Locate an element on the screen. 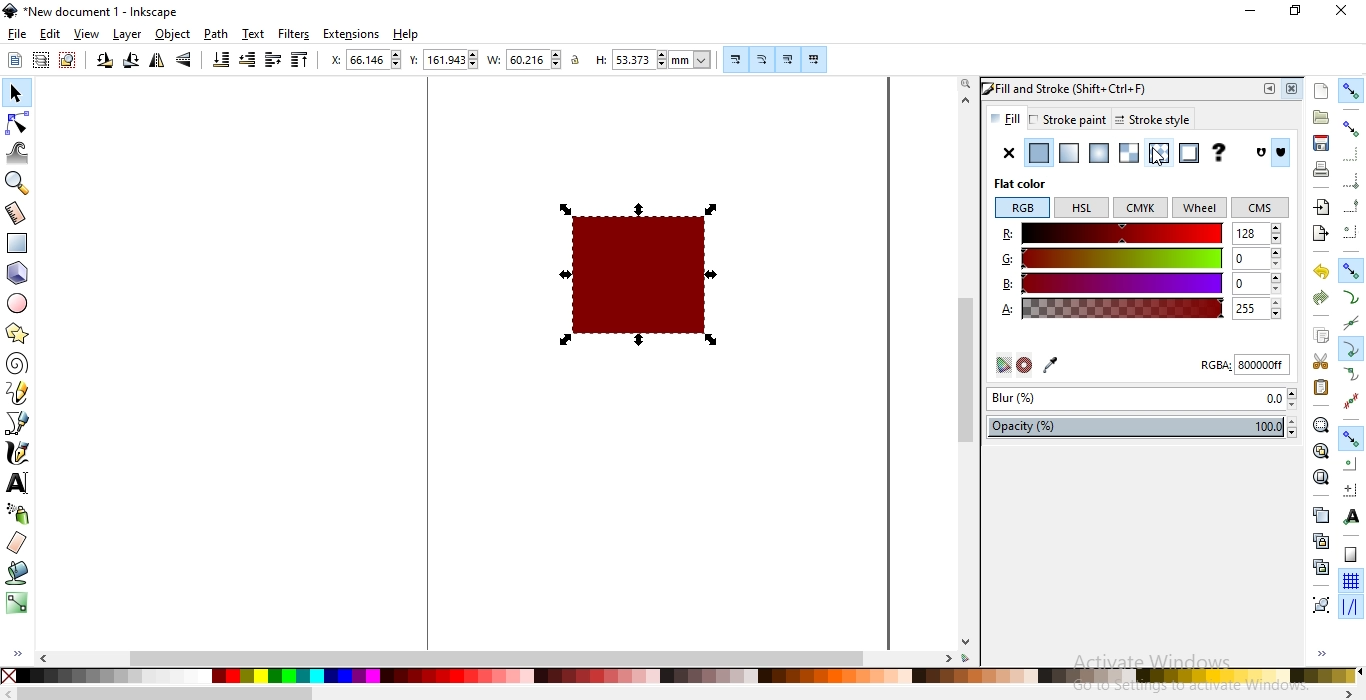 The height and width of the screenshot is (700, 1366). swatch is located at coordinates (1188, 153).